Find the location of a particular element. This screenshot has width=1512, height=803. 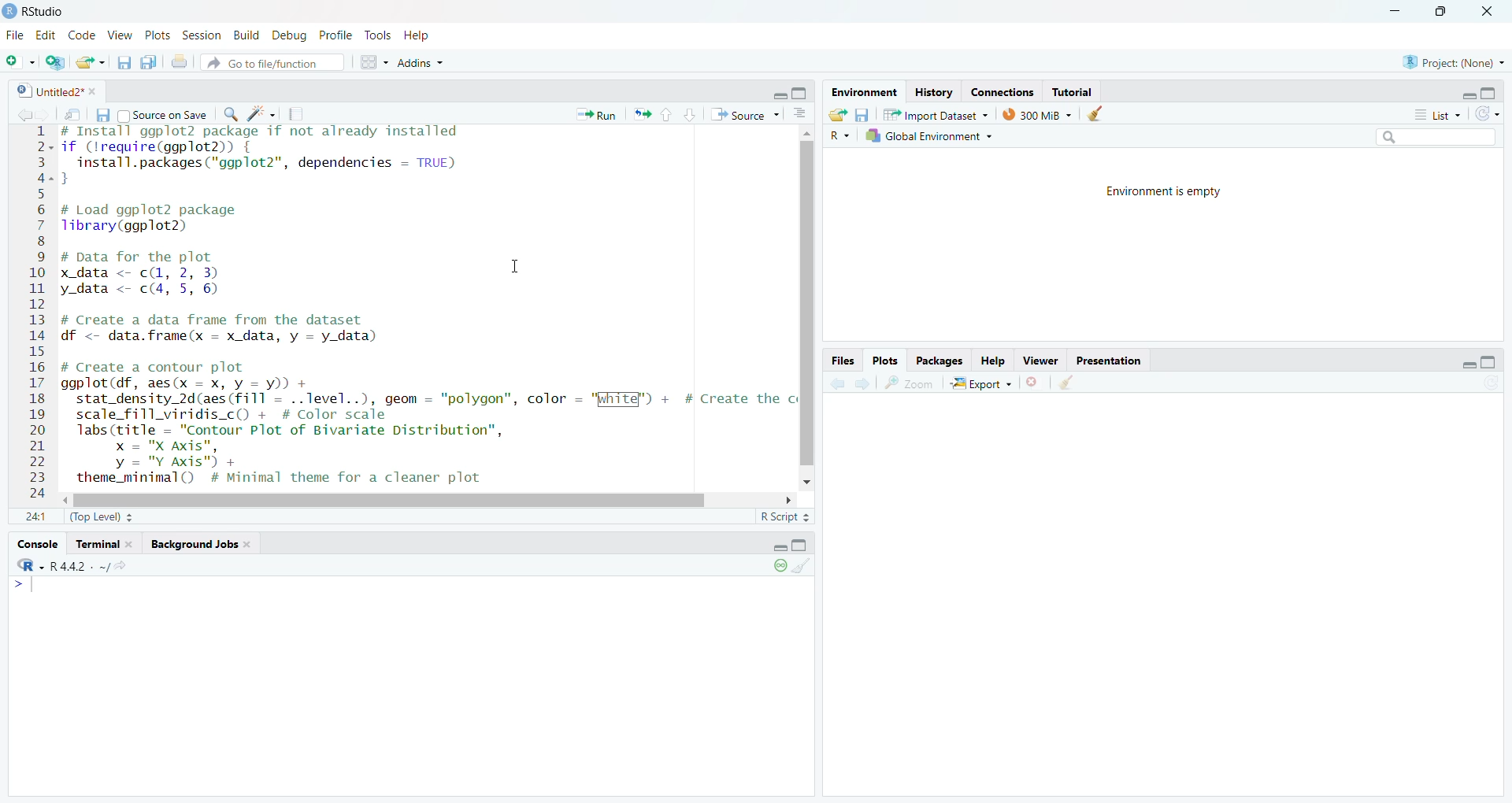

Environment is located at coordinates (862, 92).